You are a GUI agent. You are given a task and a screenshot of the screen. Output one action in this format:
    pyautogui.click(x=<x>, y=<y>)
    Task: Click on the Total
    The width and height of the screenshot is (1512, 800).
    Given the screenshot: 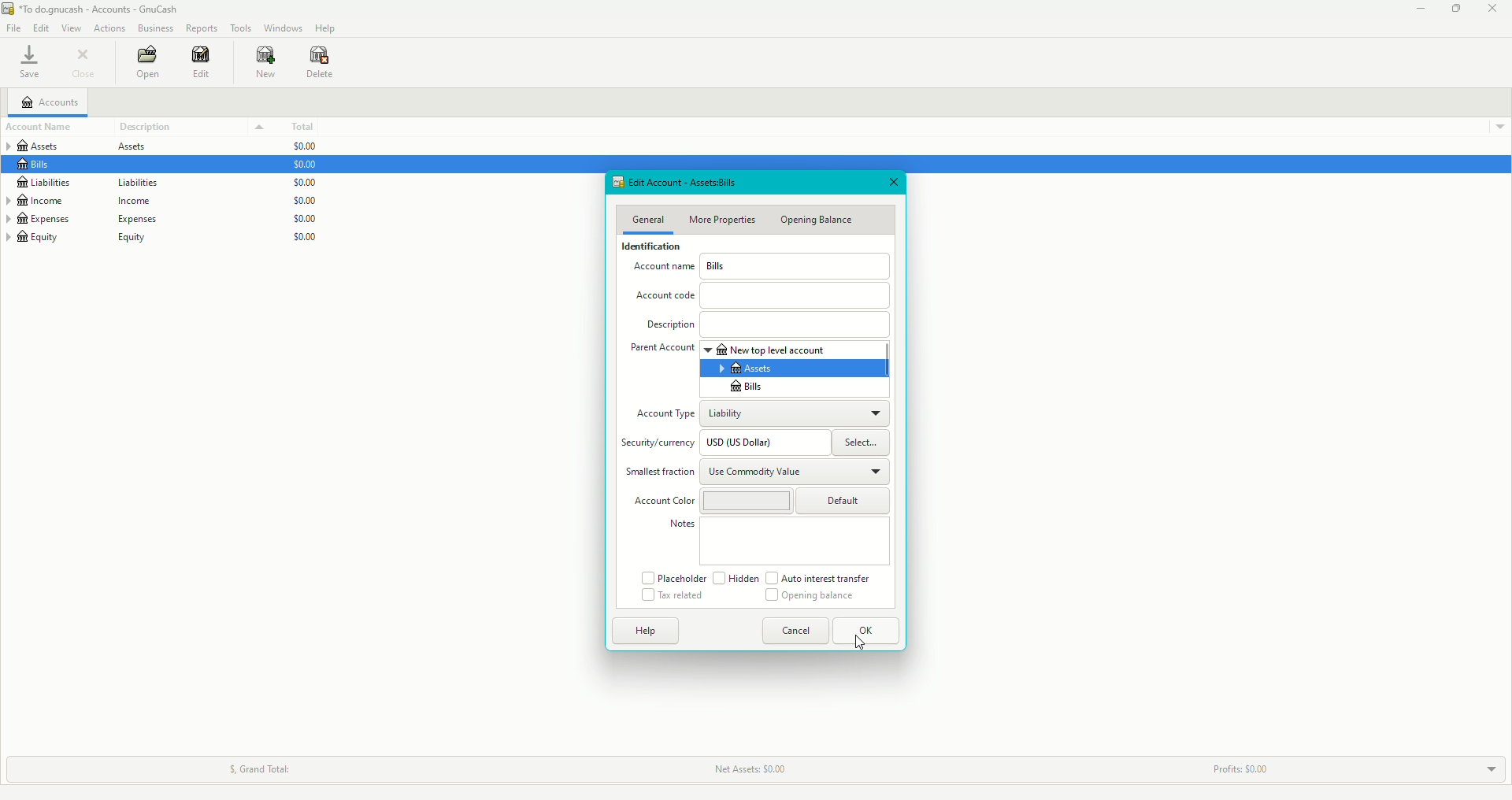 What is the action you would take?
    pyautogui.click(x=309, y=127)
    